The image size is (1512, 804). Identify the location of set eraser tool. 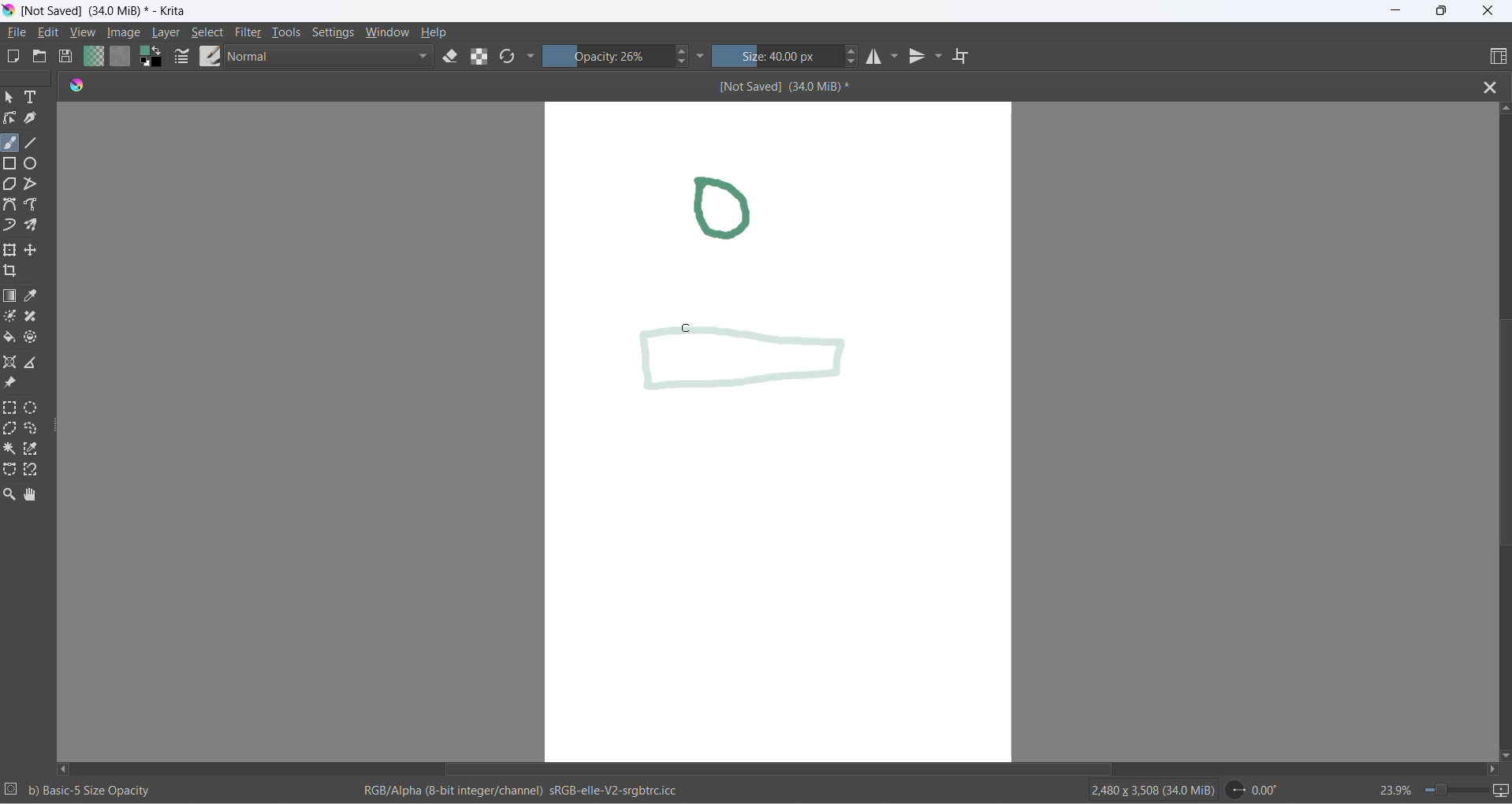
(451, 57).